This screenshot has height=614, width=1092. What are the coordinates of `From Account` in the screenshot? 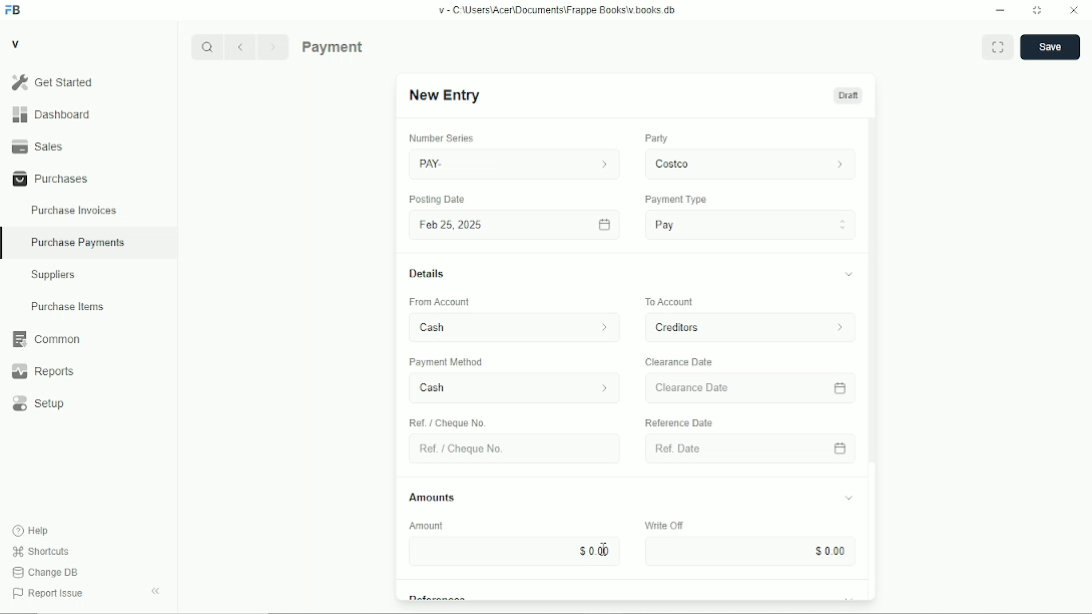 It's located at (508, 325).